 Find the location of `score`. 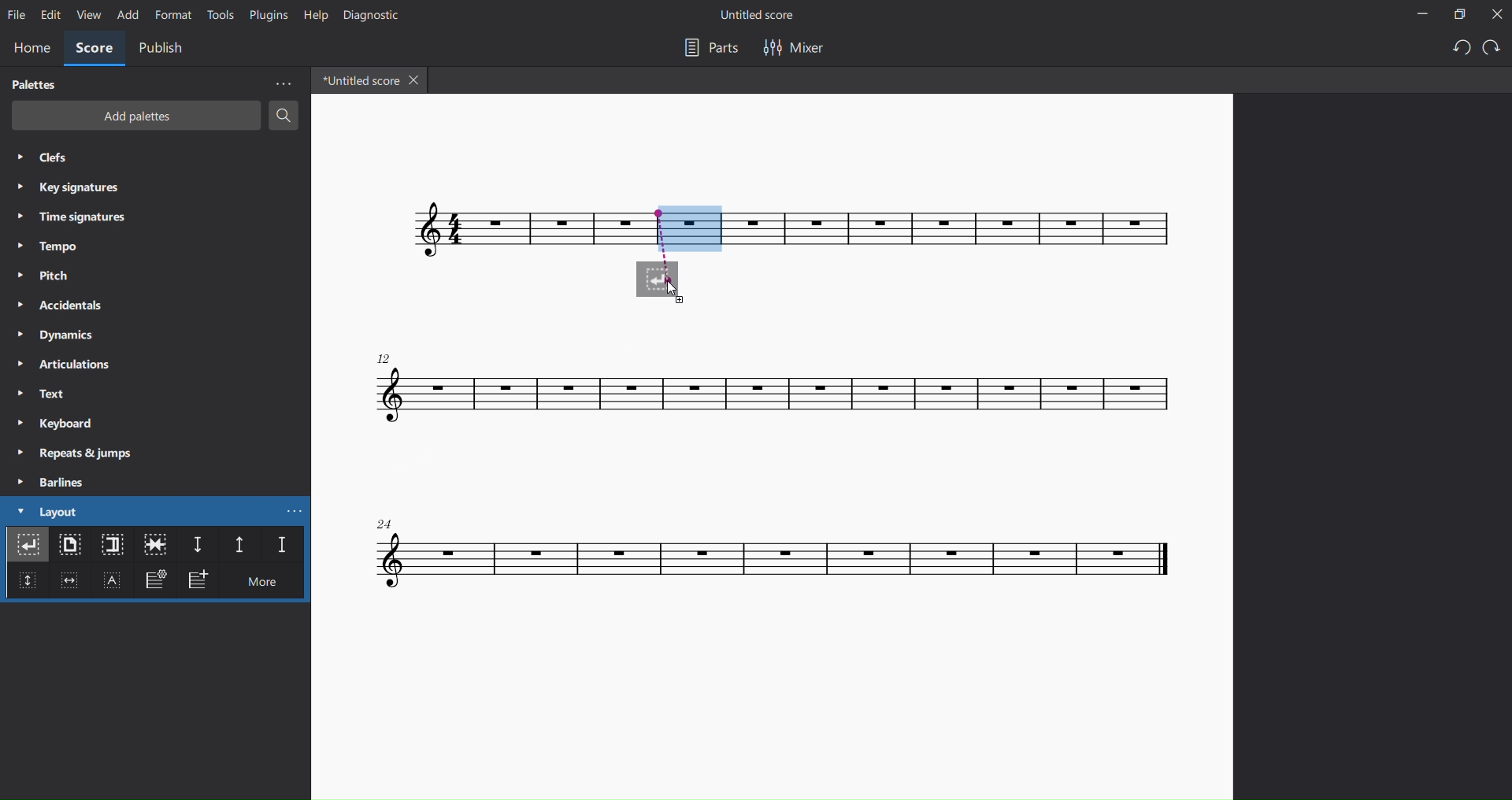

score is located at coordinates (777, 559).